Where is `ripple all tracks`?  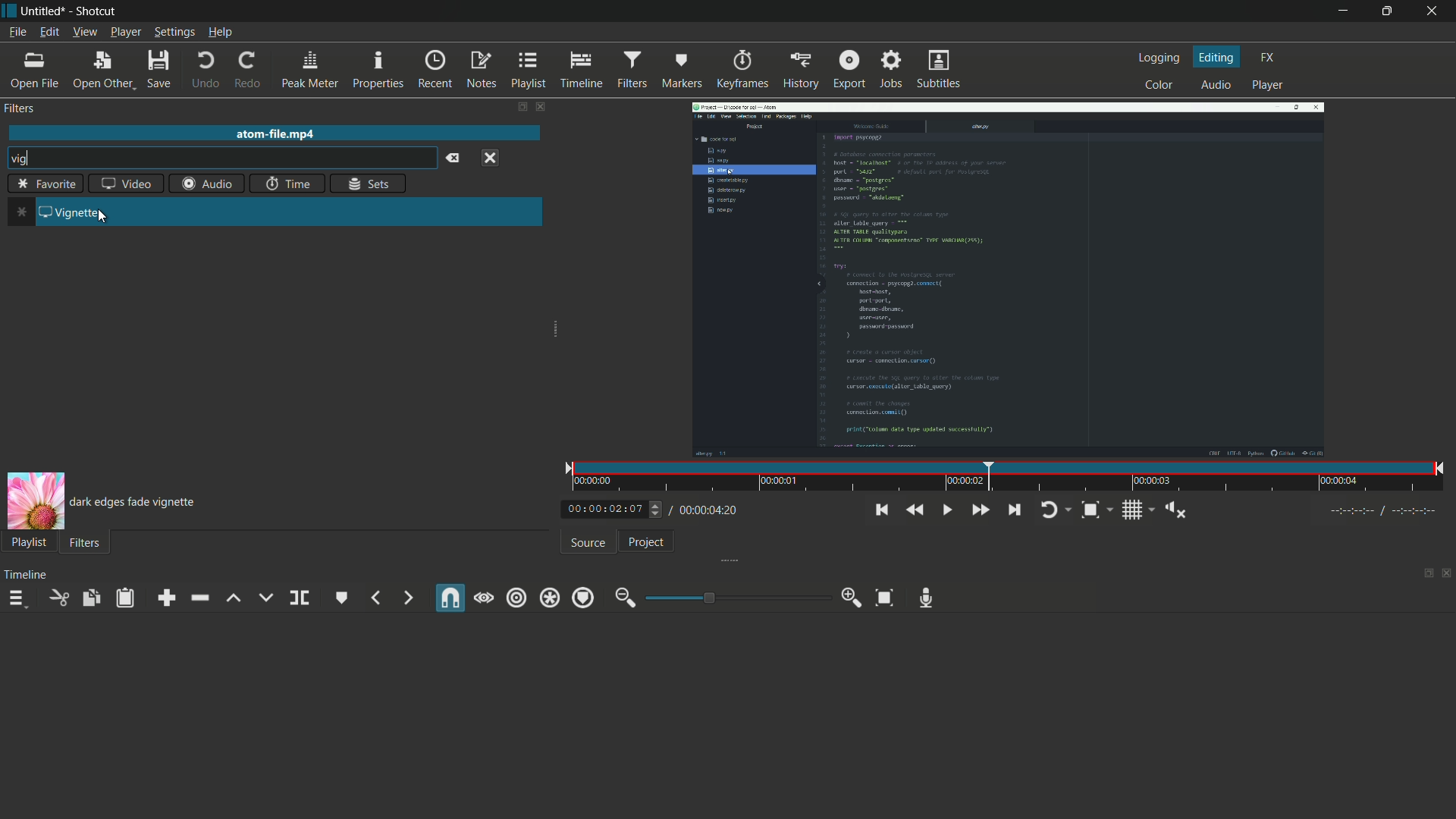 ripple all tracks is located at coordinates (548, 599).